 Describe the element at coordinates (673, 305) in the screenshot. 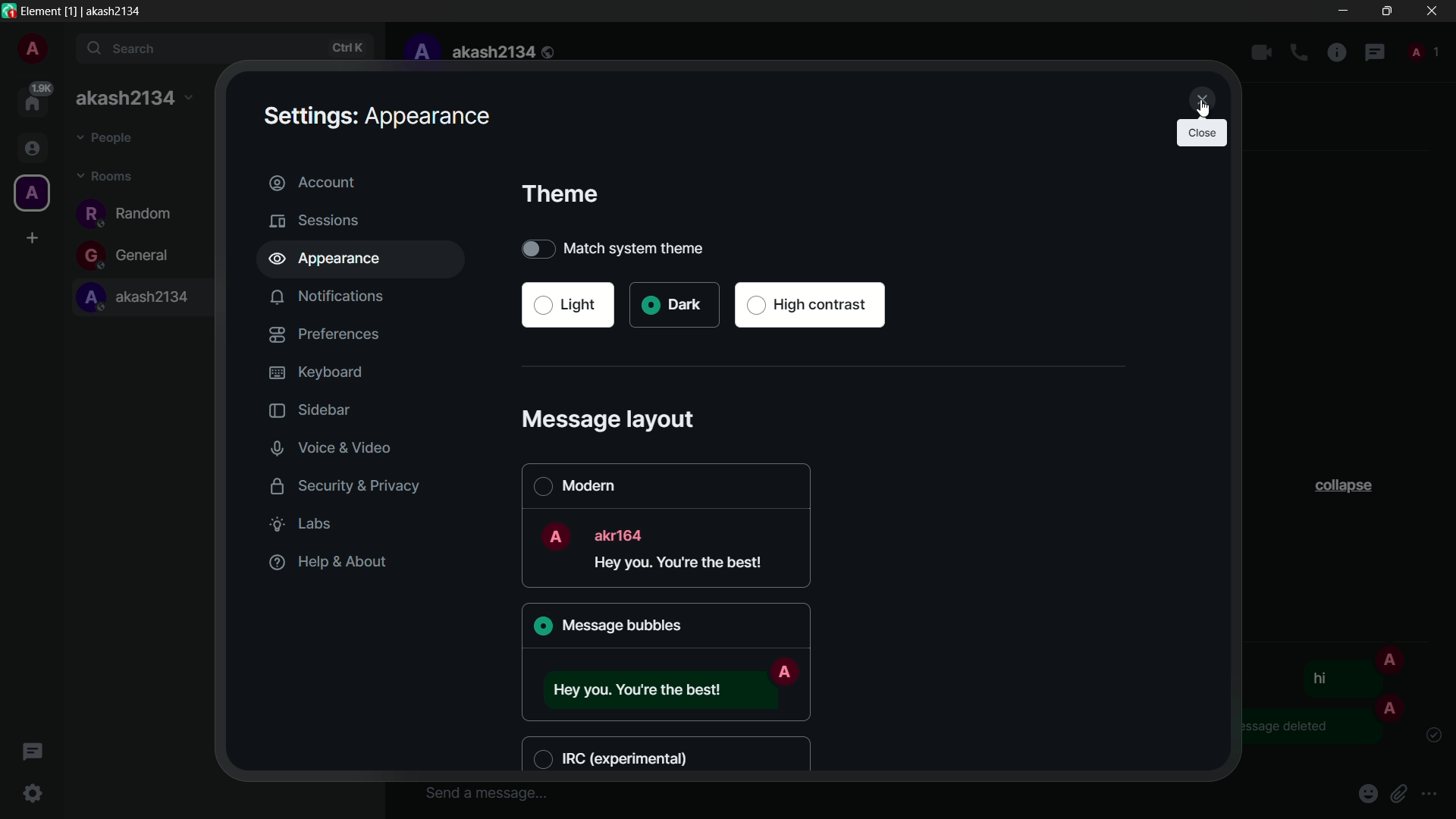

I see `dark` at that location.